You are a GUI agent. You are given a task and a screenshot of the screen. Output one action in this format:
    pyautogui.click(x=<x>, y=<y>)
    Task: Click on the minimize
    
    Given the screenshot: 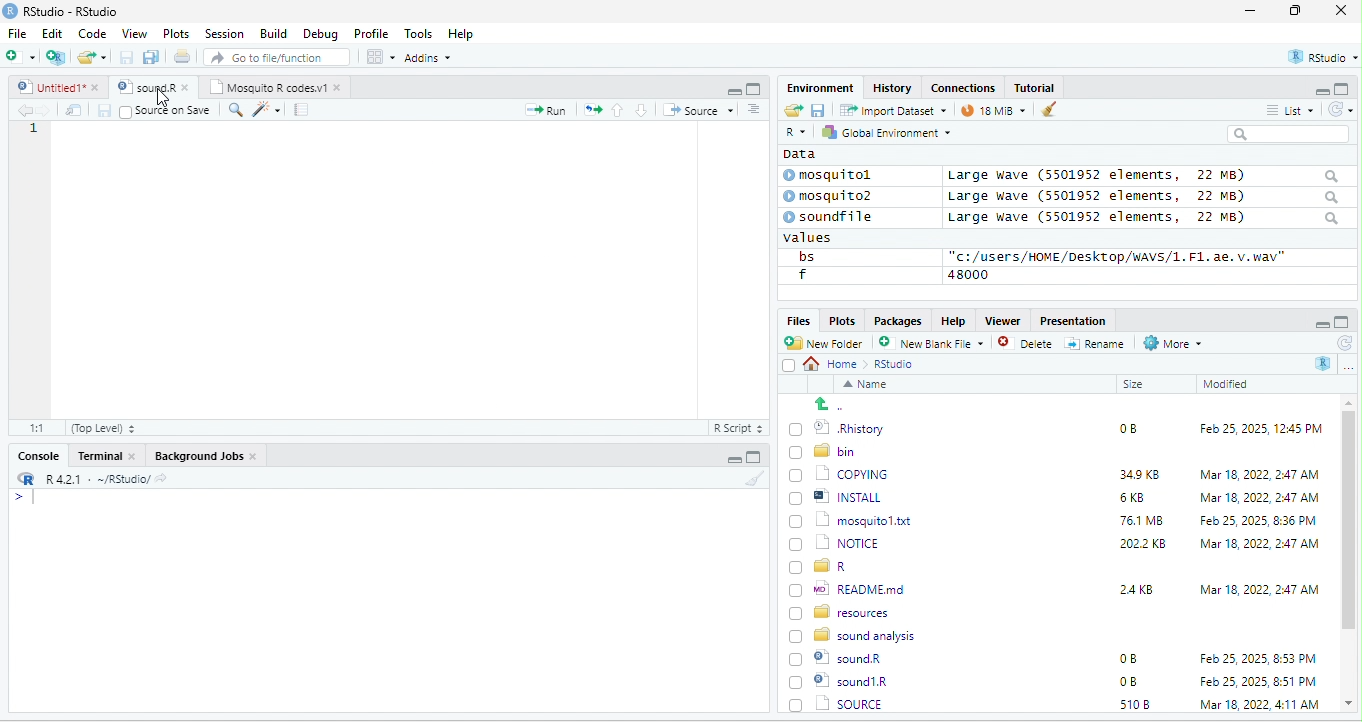 What is the action you would take?
    pyautogui.click(x=1250, y=12)
    